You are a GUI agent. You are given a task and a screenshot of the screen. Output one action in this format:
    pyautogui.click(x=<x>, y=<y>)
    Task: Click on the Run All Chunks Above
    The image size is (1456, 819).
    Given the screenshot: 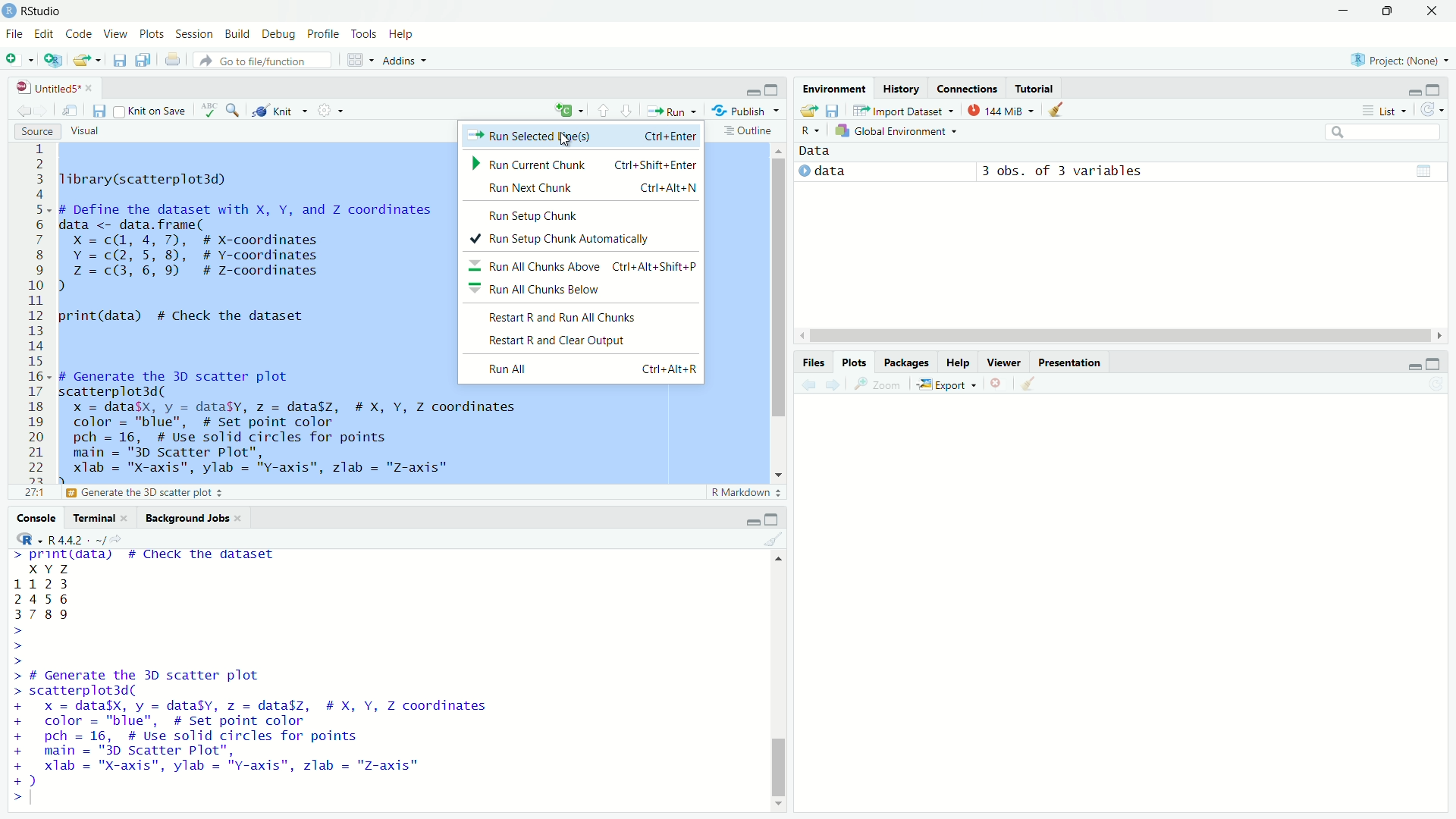 What is the action you would take?
    pyautogui.click(x=589, y=263)
    